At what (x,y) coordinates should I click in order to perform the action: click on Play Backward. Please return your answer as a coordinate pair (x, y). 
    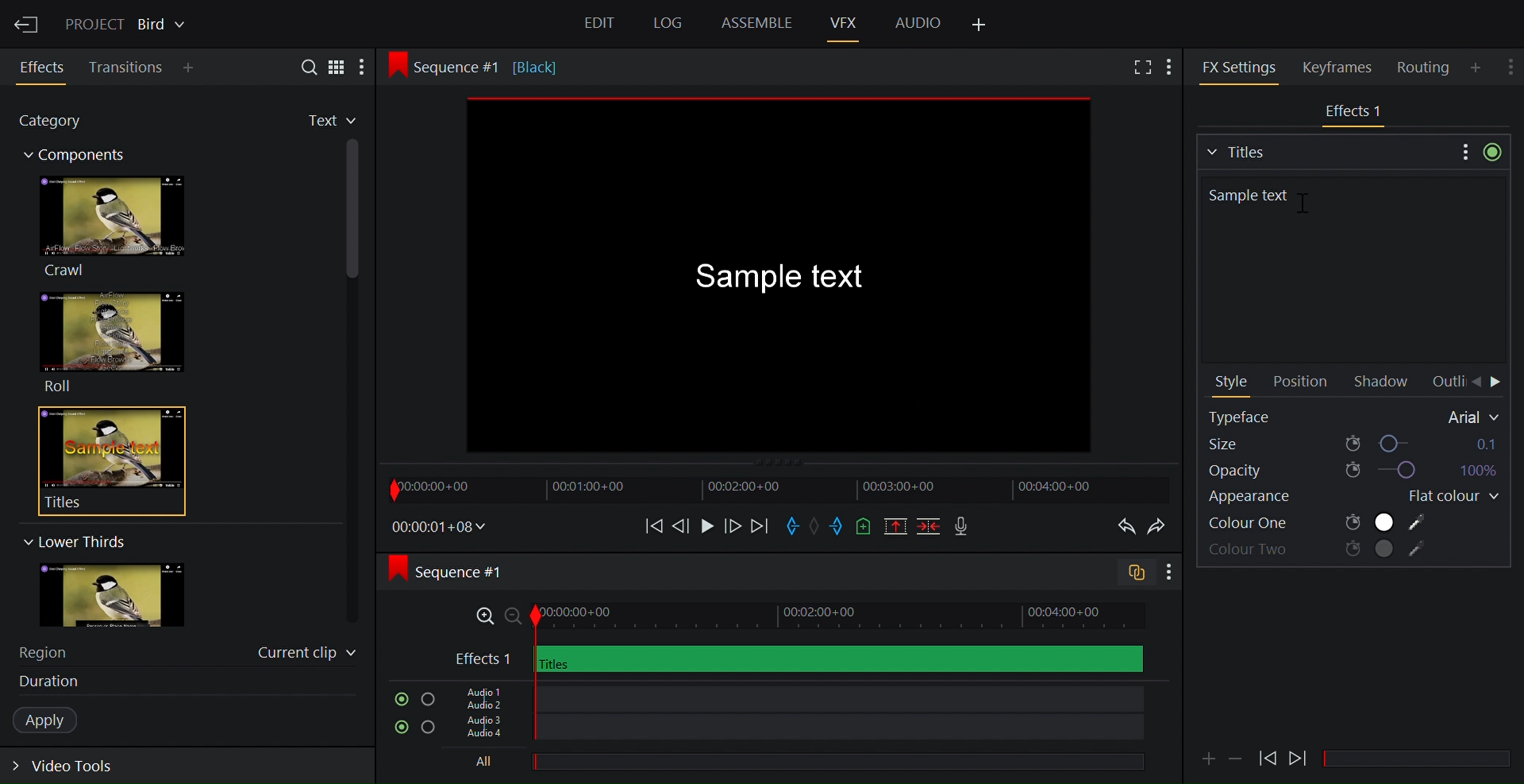
    Looking at the image, I should click on (1299, 755).